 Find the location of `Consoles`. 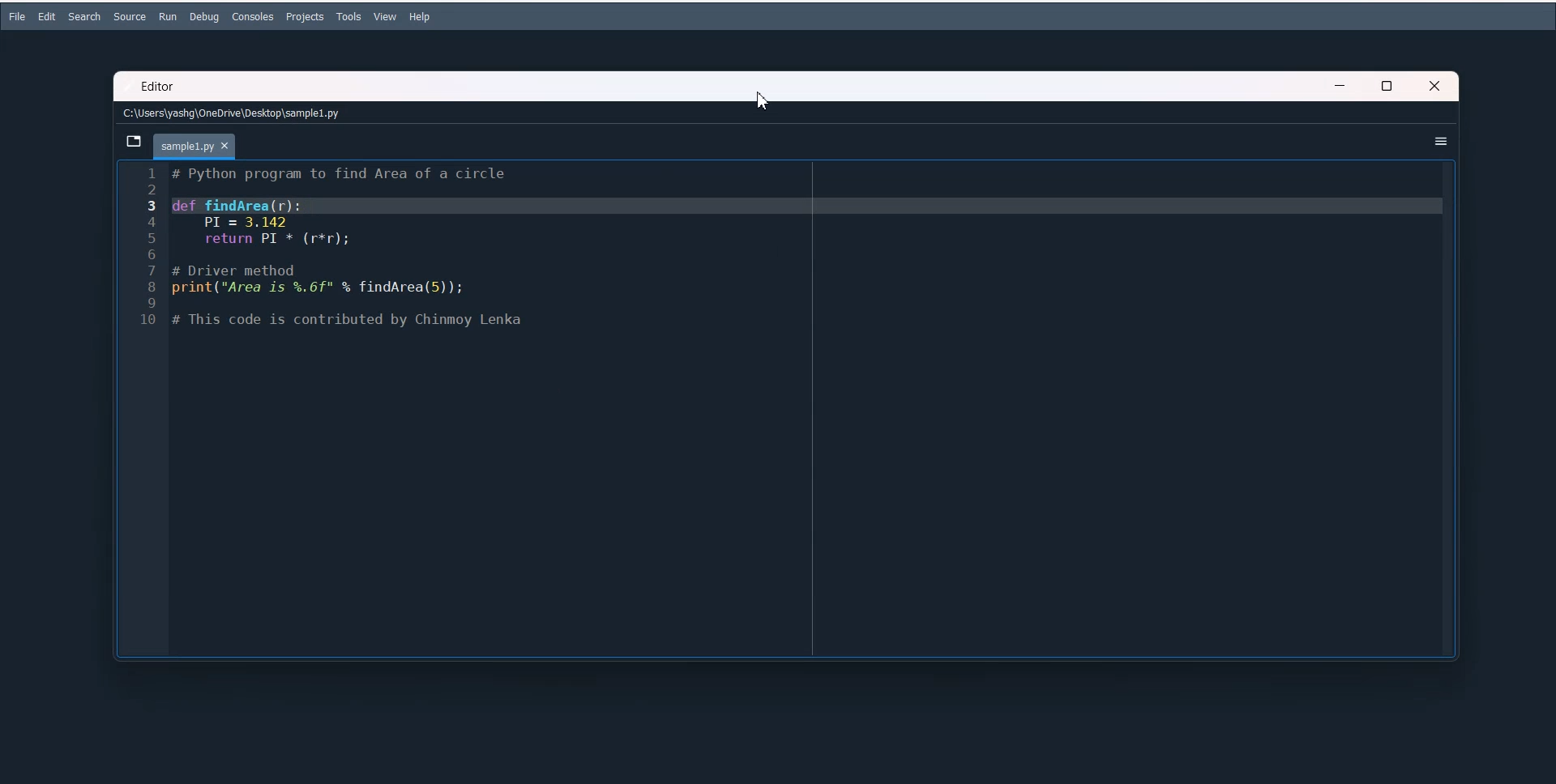

Consoles is located at coordinates (253, 16).